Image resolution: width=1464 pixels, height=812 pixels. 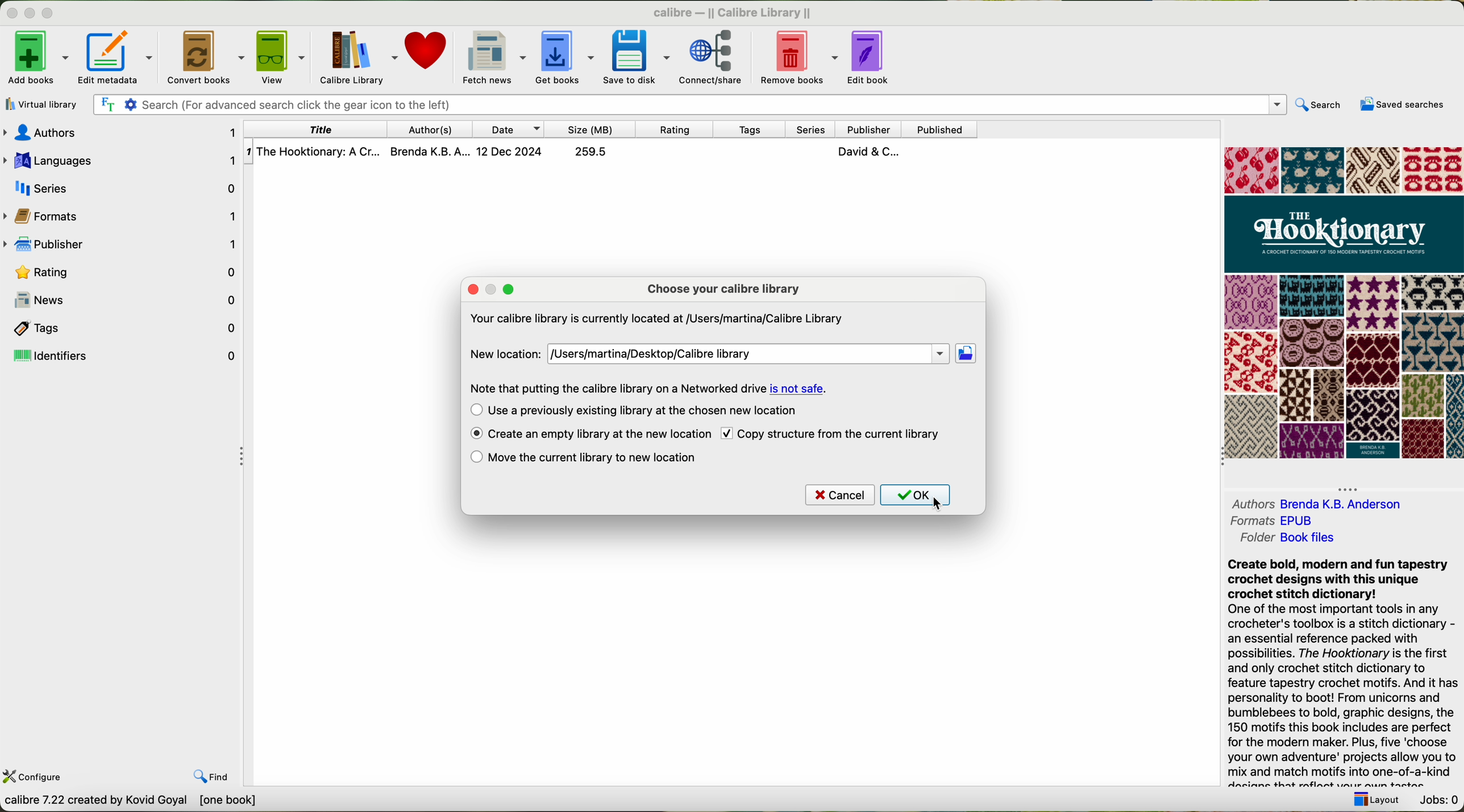 What do you see at coordinates (116, 57) in the screenshot?
I see `edit metadata` at bounding box center [116, 57].